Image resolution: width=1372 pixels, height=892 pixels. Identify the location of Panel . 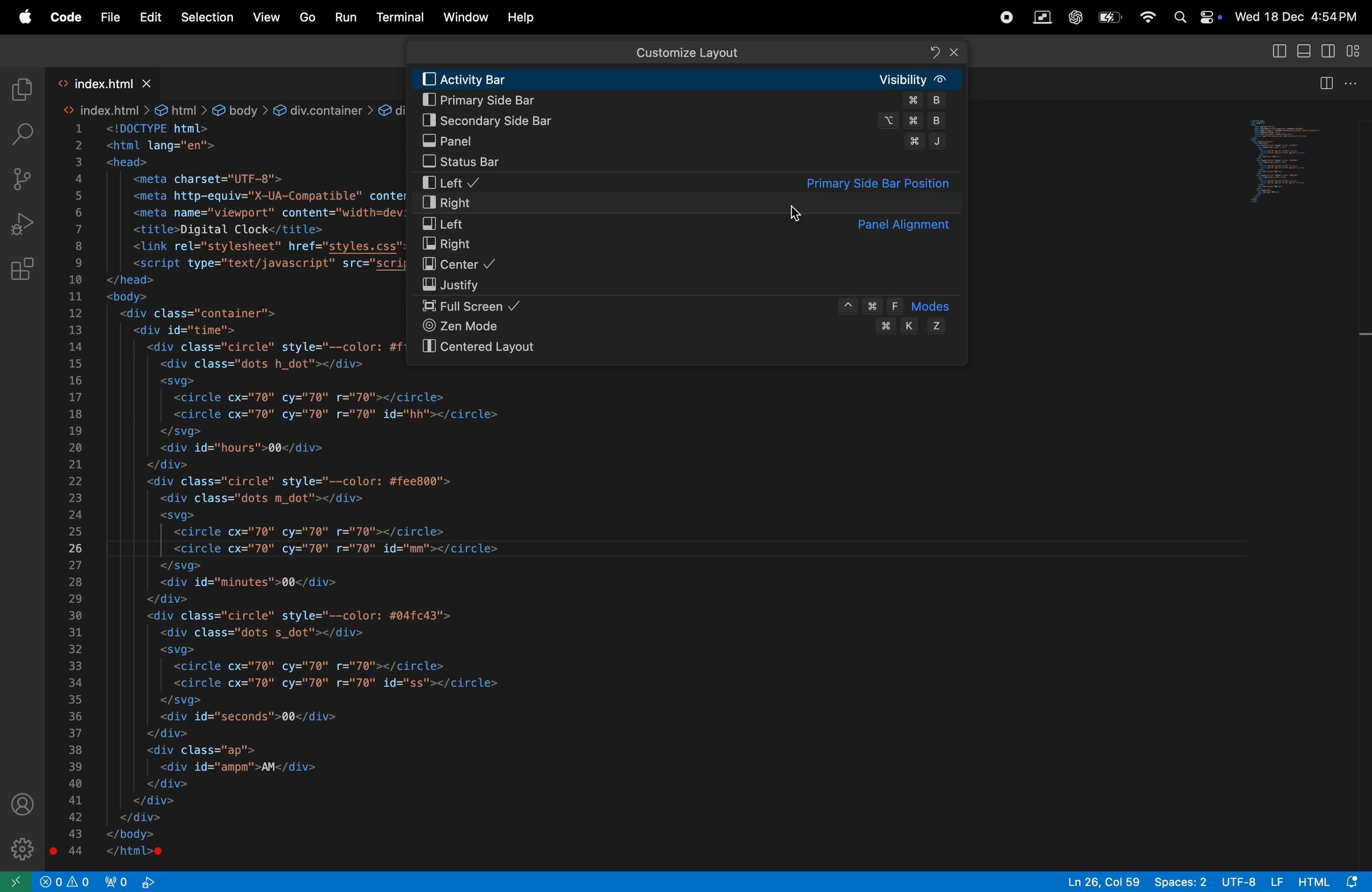
(685, 142).